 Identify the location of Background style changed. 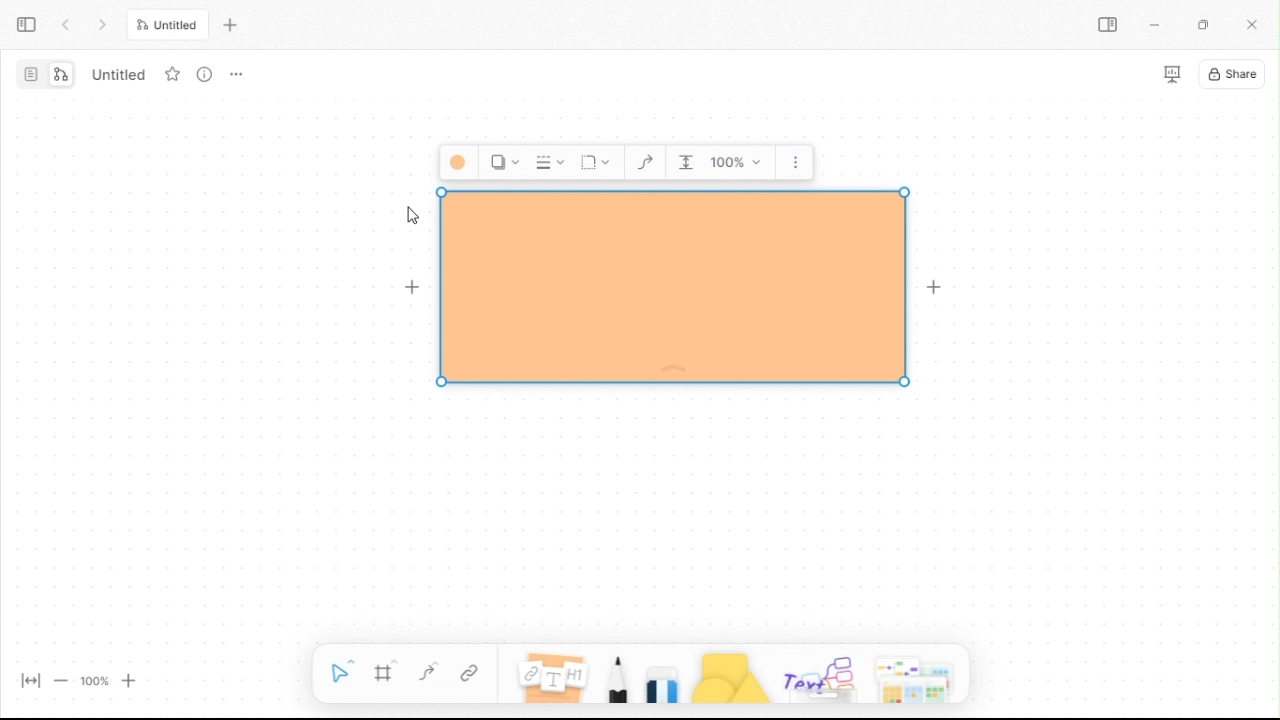
(673, 288).